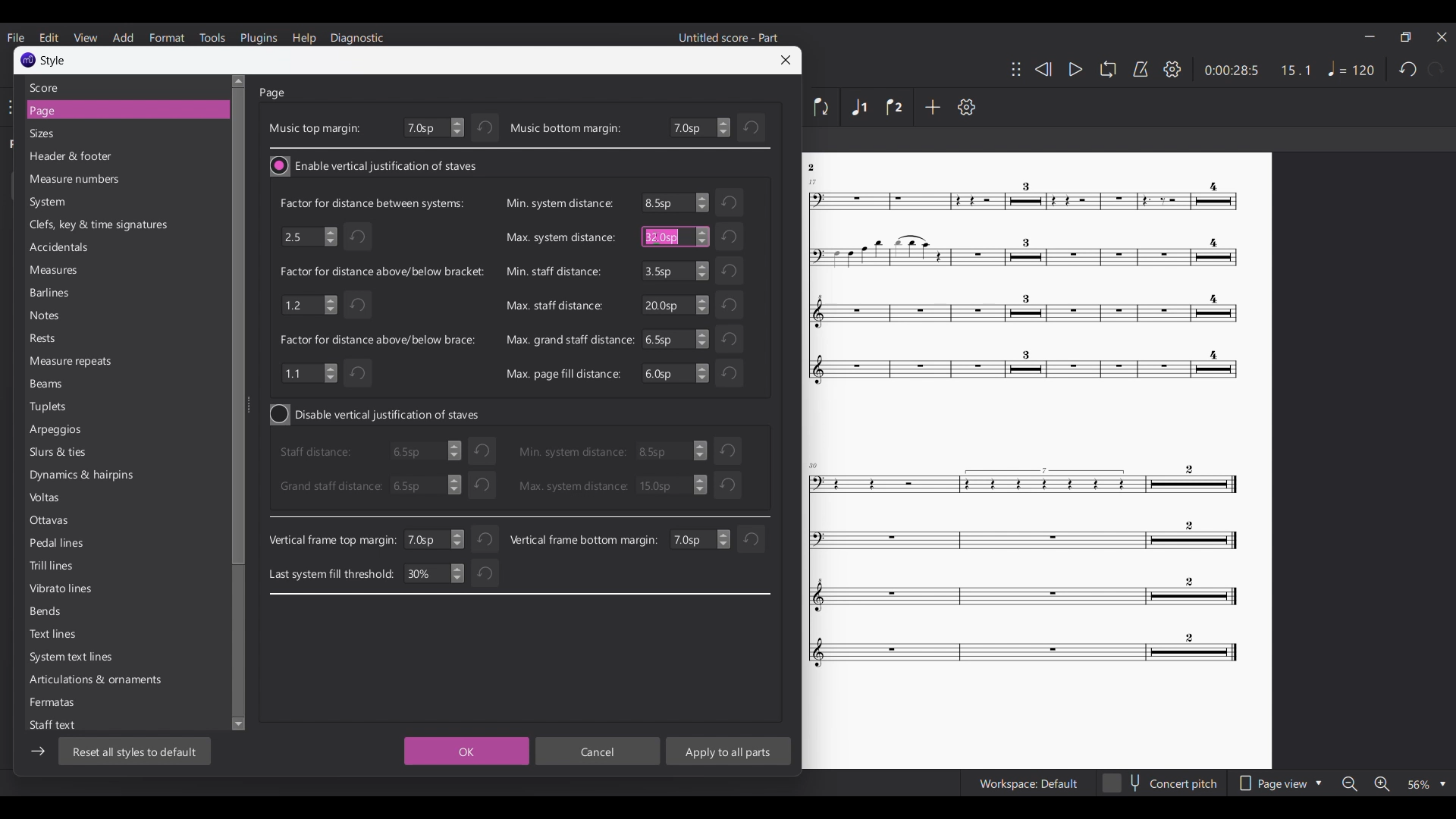 This screenshot has height=819, width=1456. Describe the element at coordinates (309, 372) in the screenshot. I see `1.1` at that location.